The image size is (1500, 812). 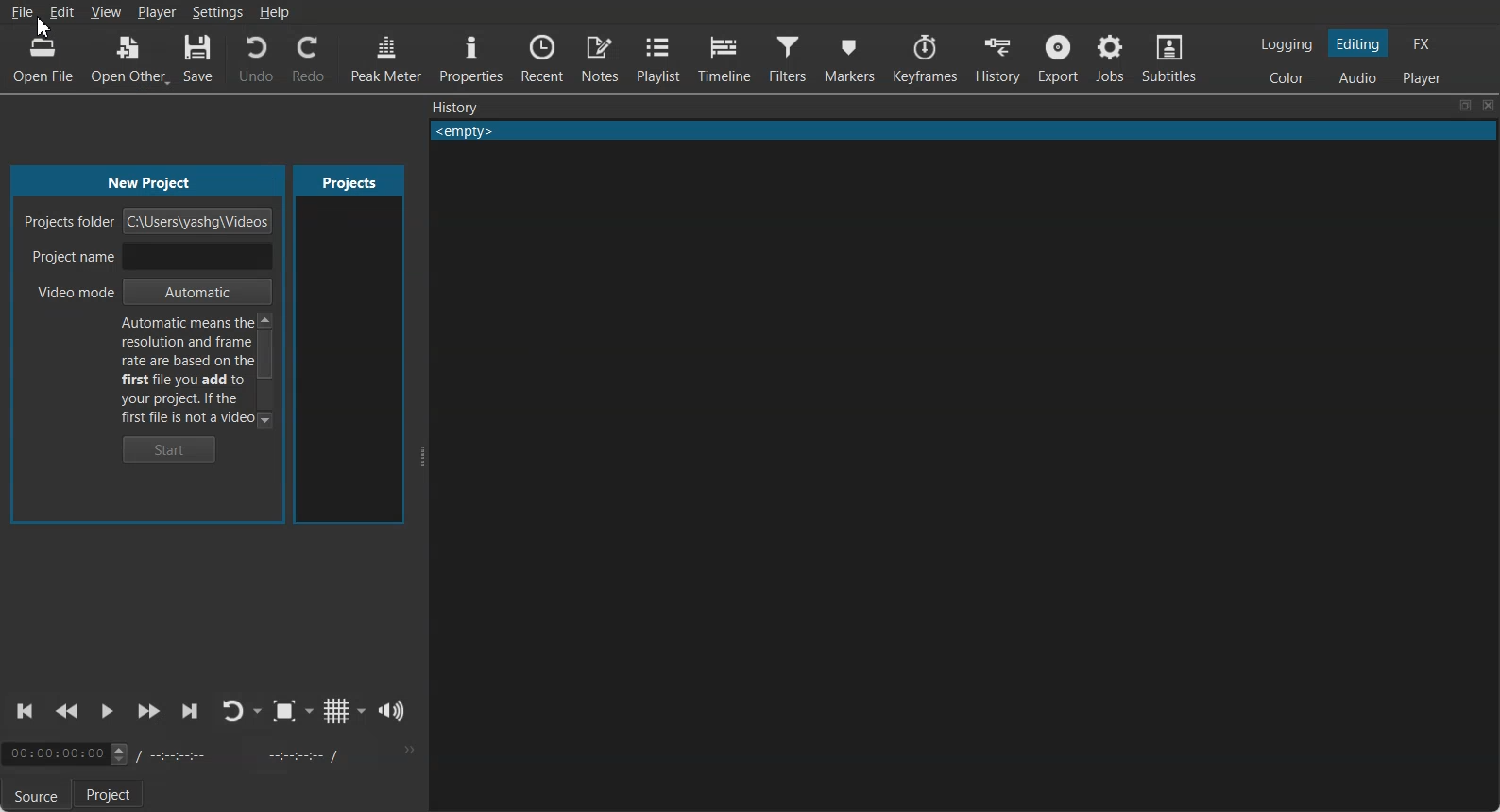 I want to click on Subtitles, so click(x=1169, y=57).